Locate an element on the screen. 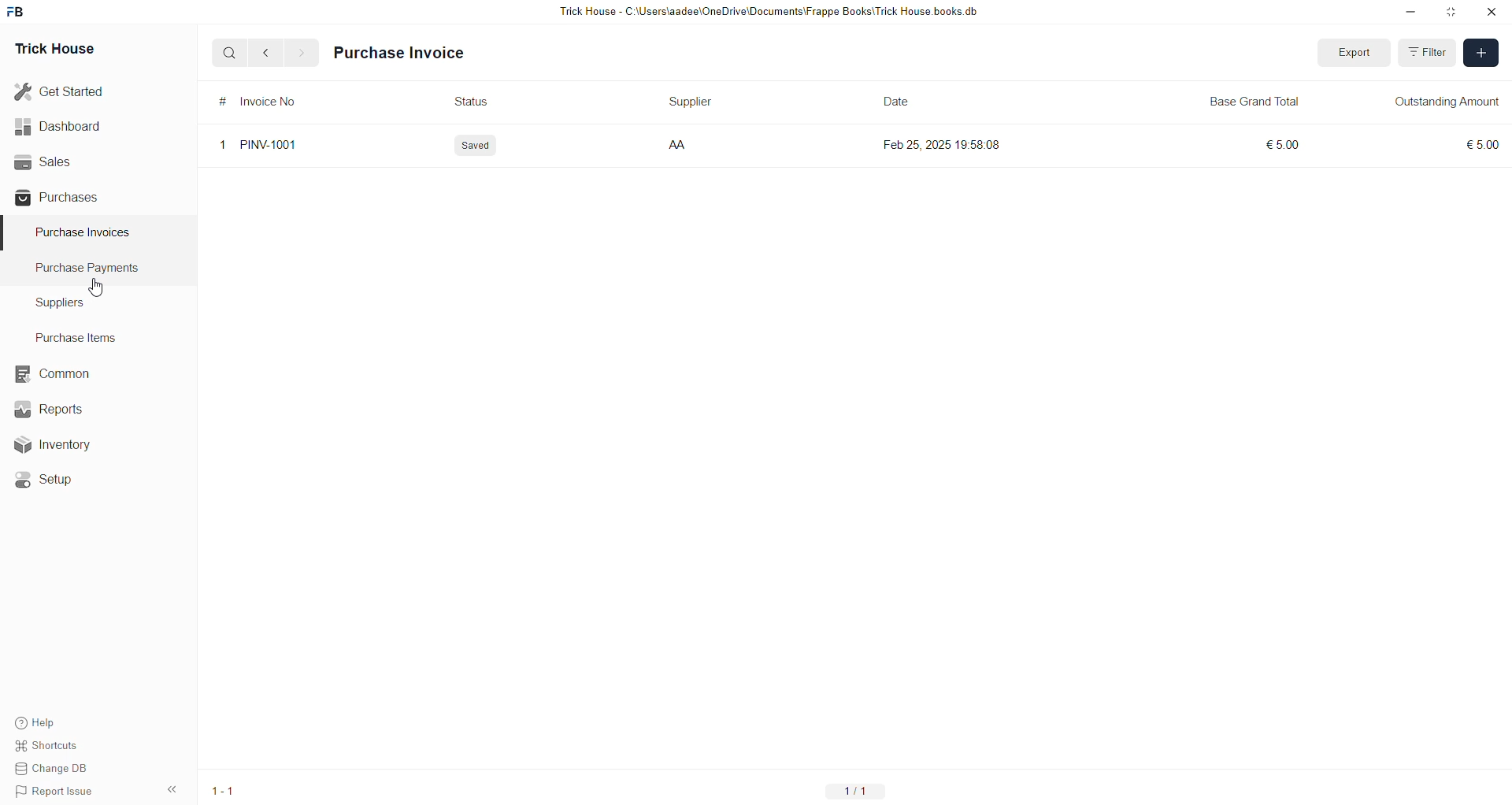 The image size is (1512, 805). expand is located at coordinates (174, 787).